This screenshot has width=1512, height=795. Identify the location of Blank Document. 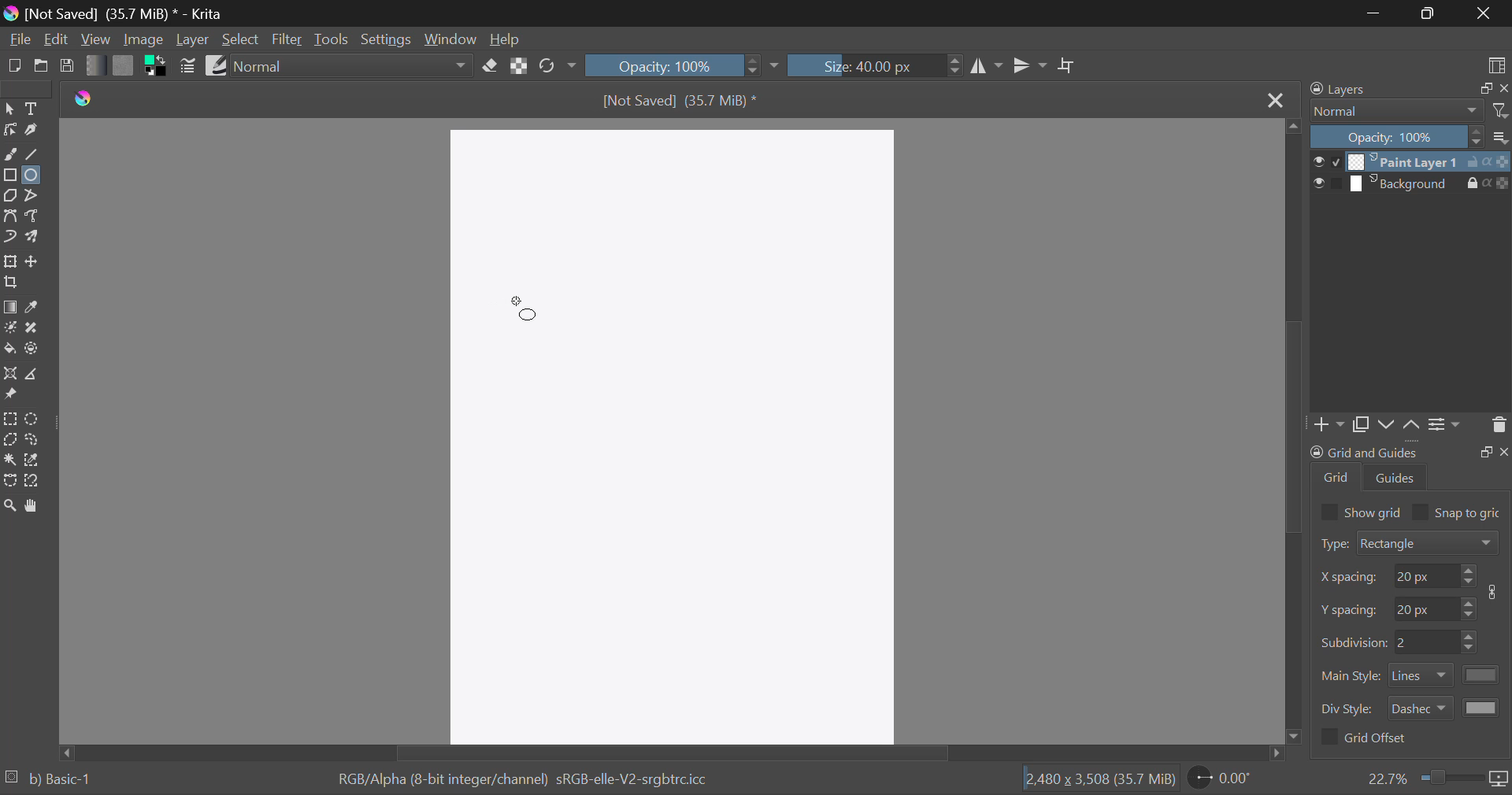
(672, 434).